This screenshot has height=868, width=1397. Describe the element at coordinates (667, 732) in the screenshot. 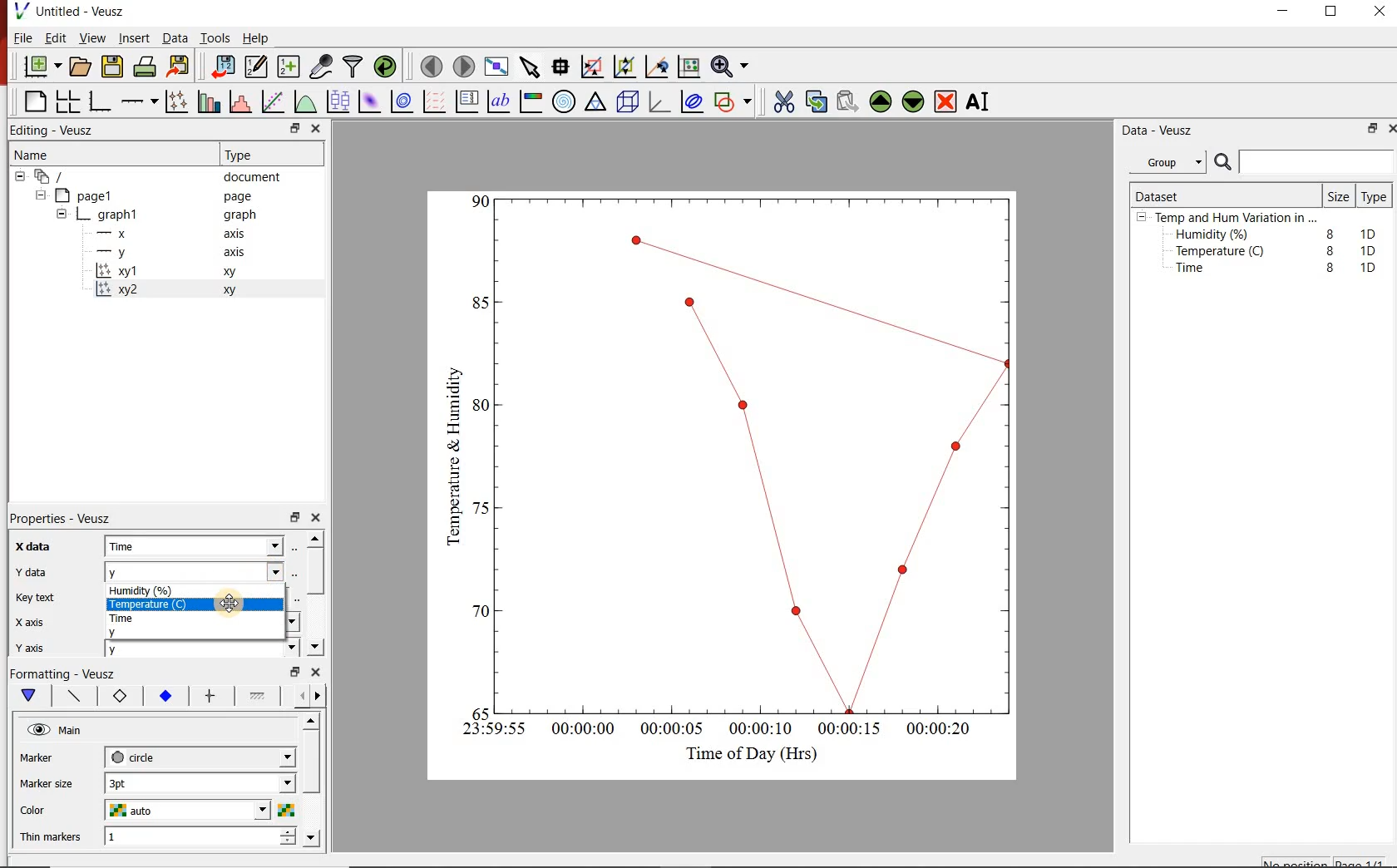

I see `00:00:05` at that location.